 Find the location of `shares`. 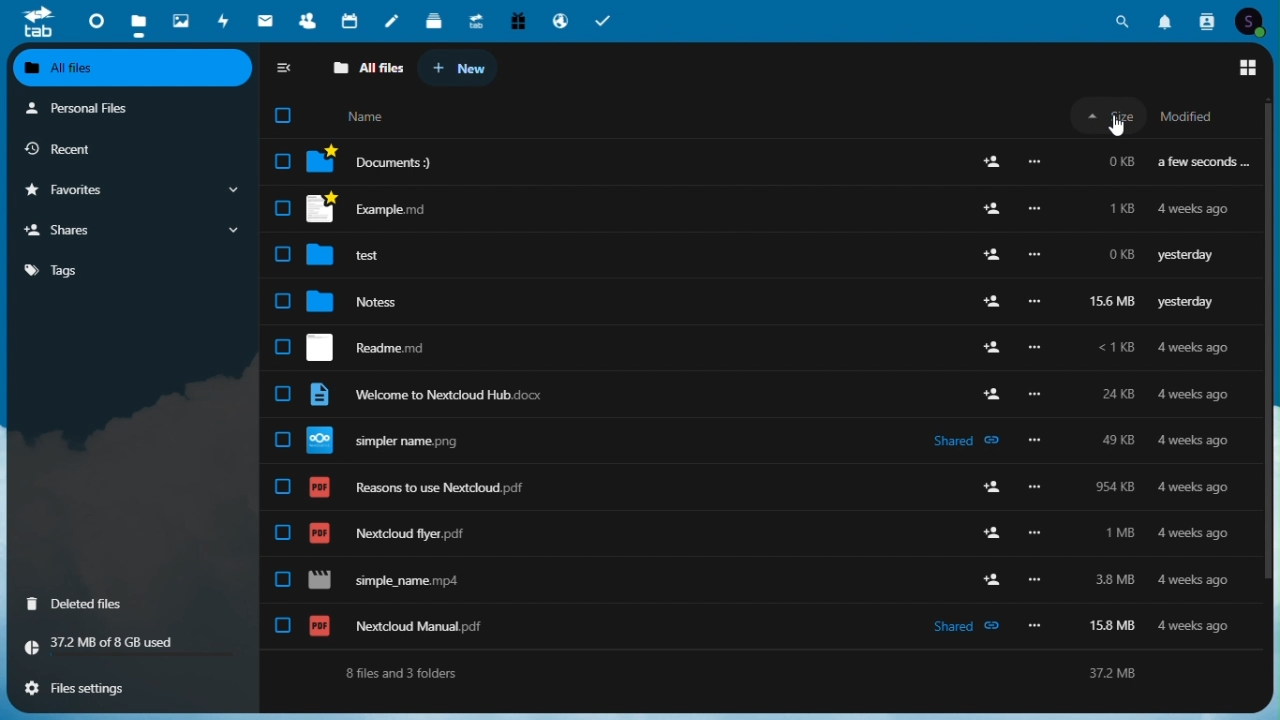

shares is located at coordinates (128, 231).